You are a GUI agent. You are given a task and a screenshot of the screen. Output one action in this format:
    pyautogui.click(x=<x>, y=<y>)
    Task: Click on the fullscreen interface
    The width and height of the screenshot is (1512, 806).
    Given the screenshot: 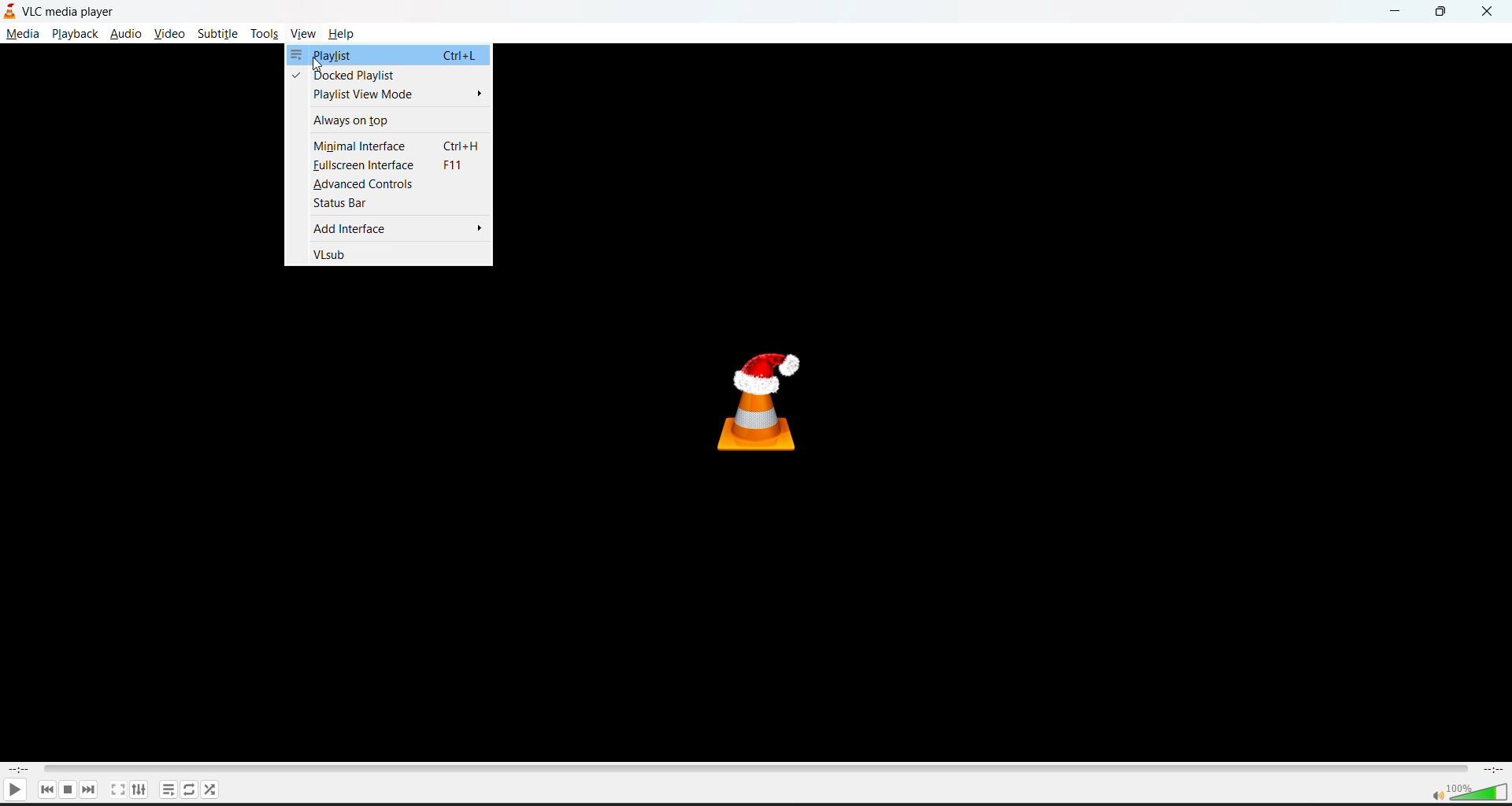 What is the action you would take?
    pyautogui.click(x=386, y=166)
    